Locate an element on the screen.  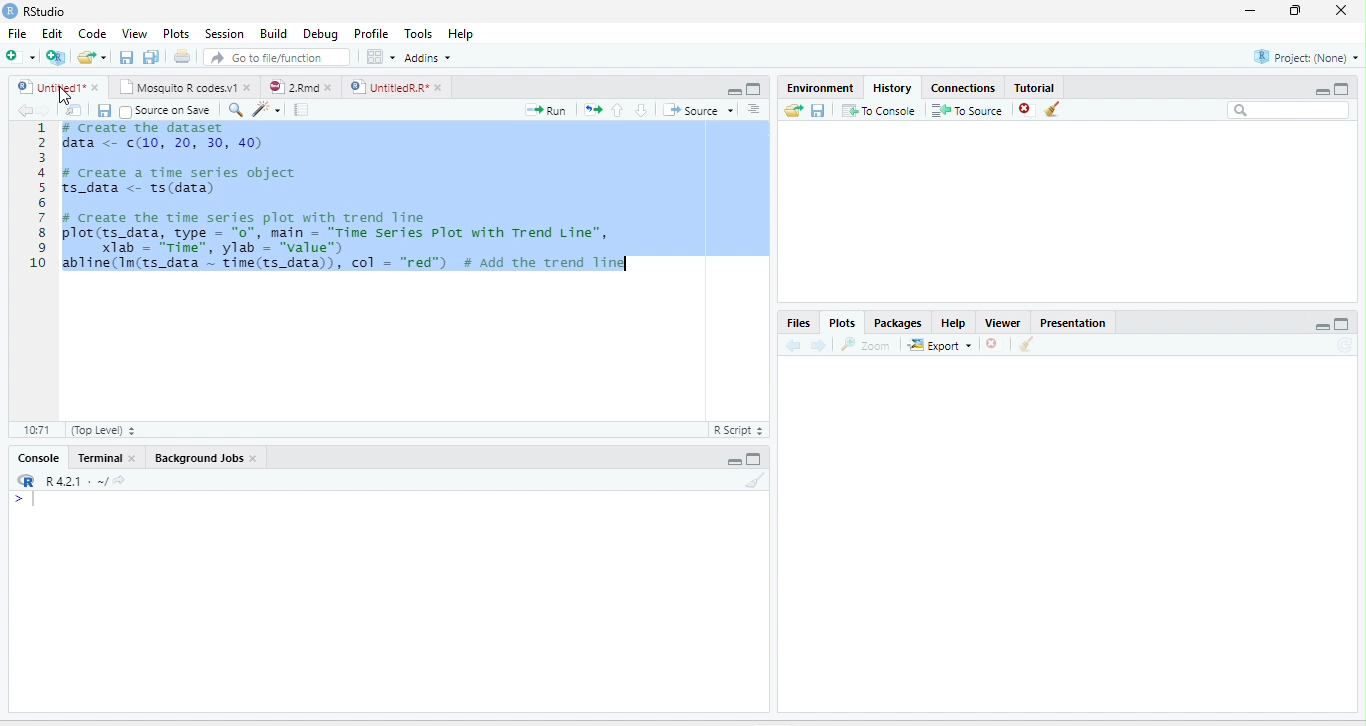
Show document outline is located at coordinates (754, 109).